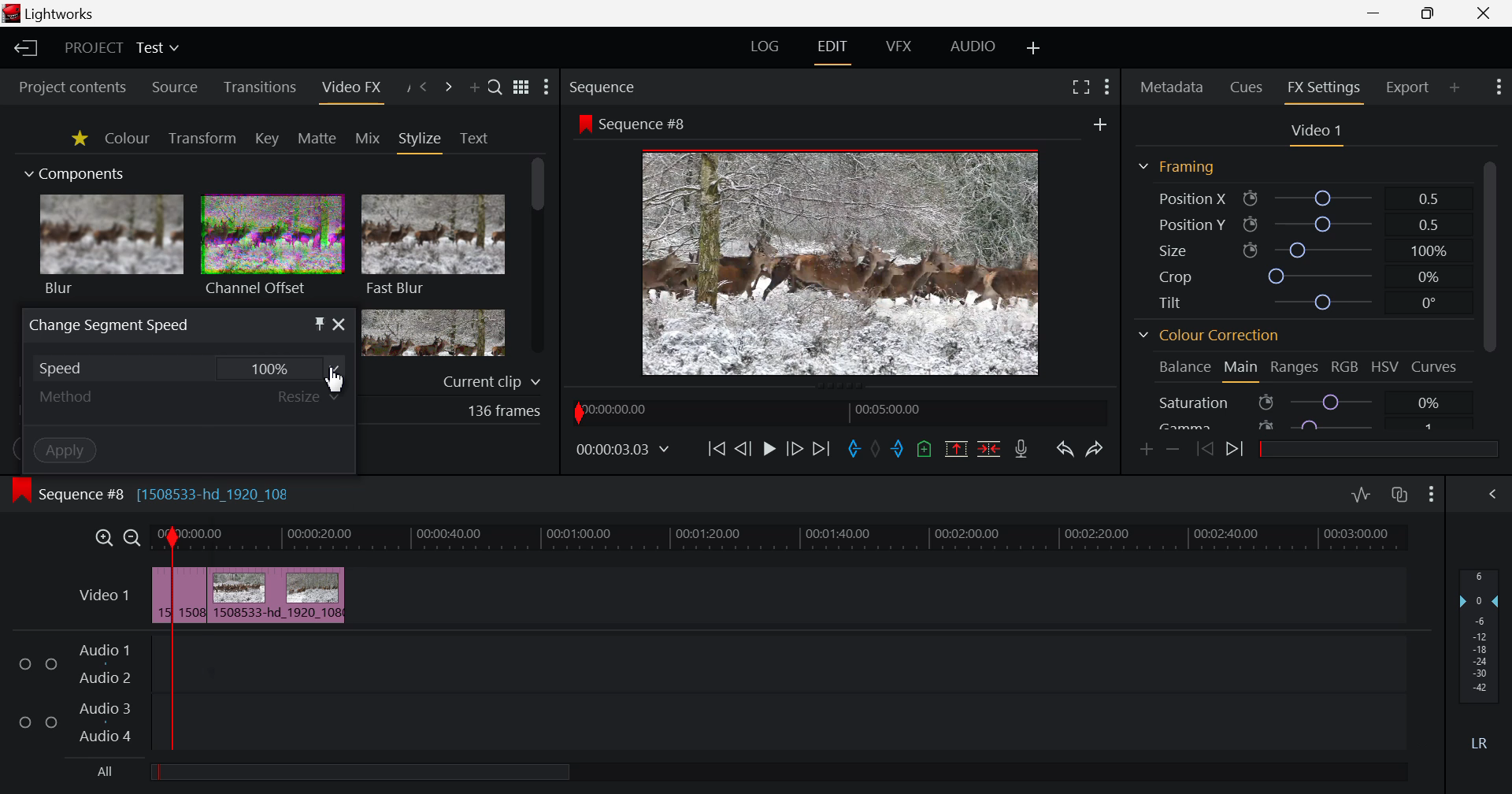 Image resolution: width=1512 pixels, height=794 pixels. What do you see at coordinates (72, 85) in the screenshot?
I see `Project contents` at bounding box center [72, 85].